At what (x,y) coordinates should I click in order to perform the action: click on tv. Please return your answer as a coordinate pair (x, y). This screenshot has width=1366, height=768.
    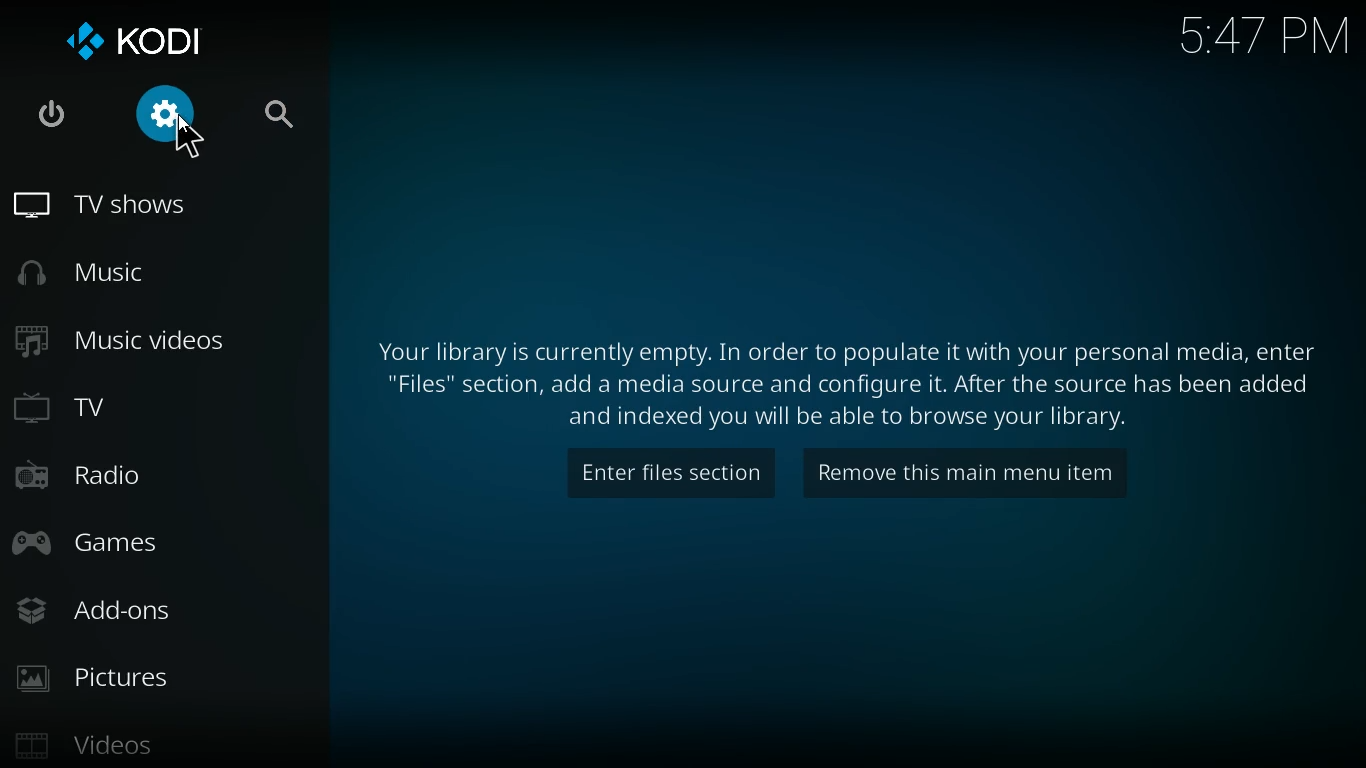
    Looking at the image, I should click on (160, 409).